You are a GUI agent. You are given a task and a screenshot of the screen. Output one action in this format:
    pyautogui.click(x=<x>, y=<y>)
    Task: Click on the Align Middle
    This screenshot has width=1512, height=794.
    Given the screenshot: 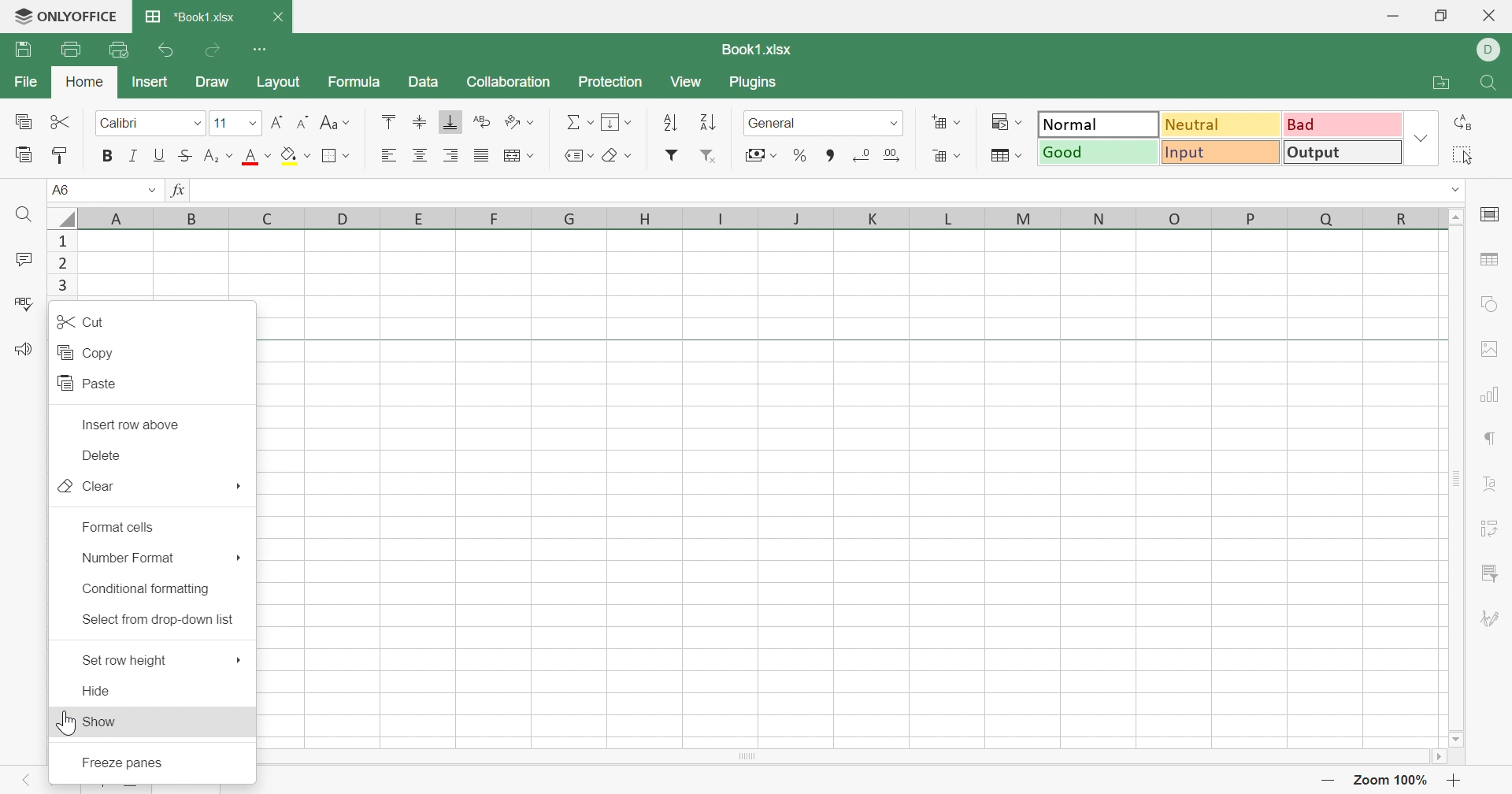 What is the action you would take?
    pyautogui.click(x=420, y=124)
    